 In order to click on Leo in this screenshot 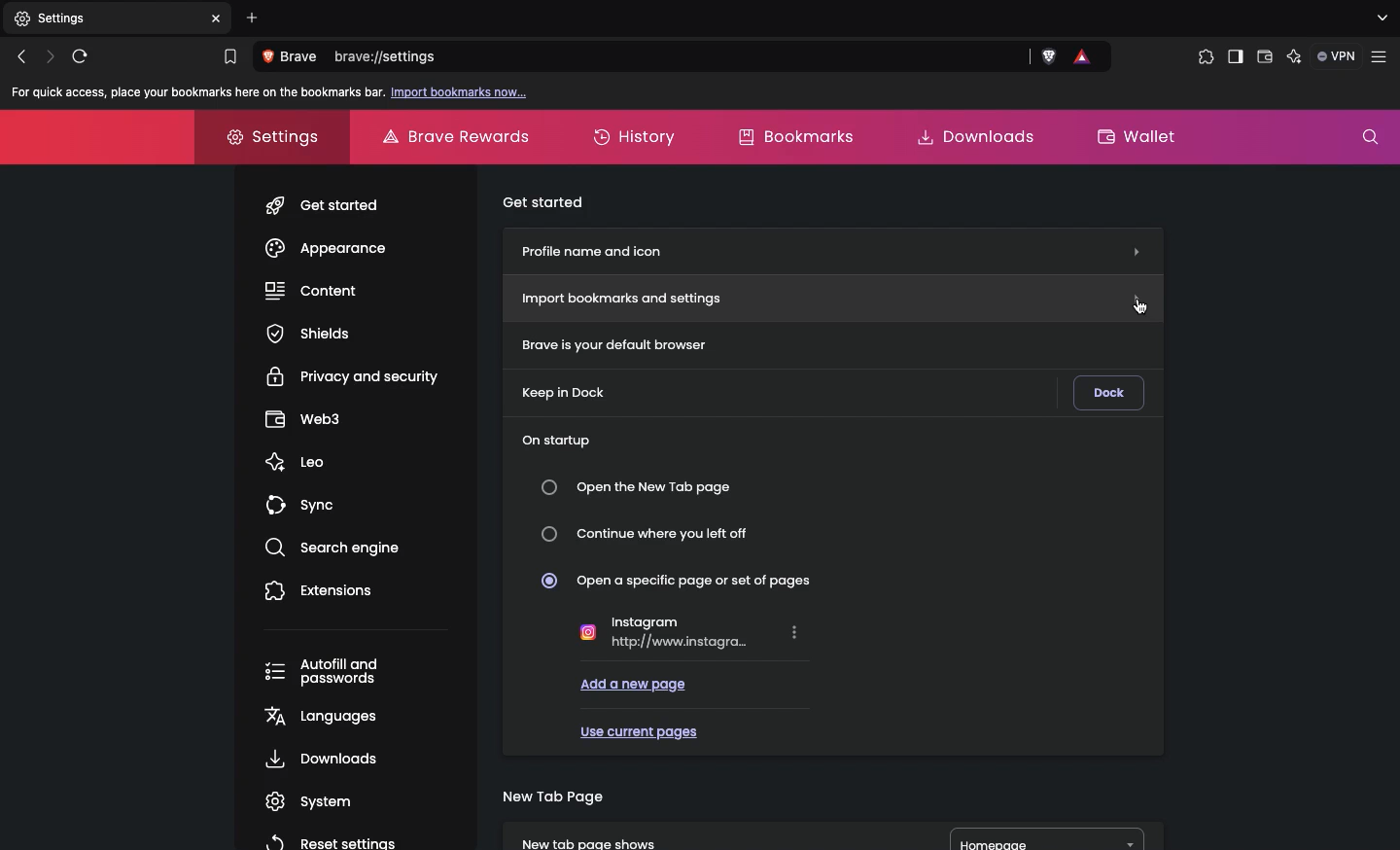, I will do `click(295, 457)`.